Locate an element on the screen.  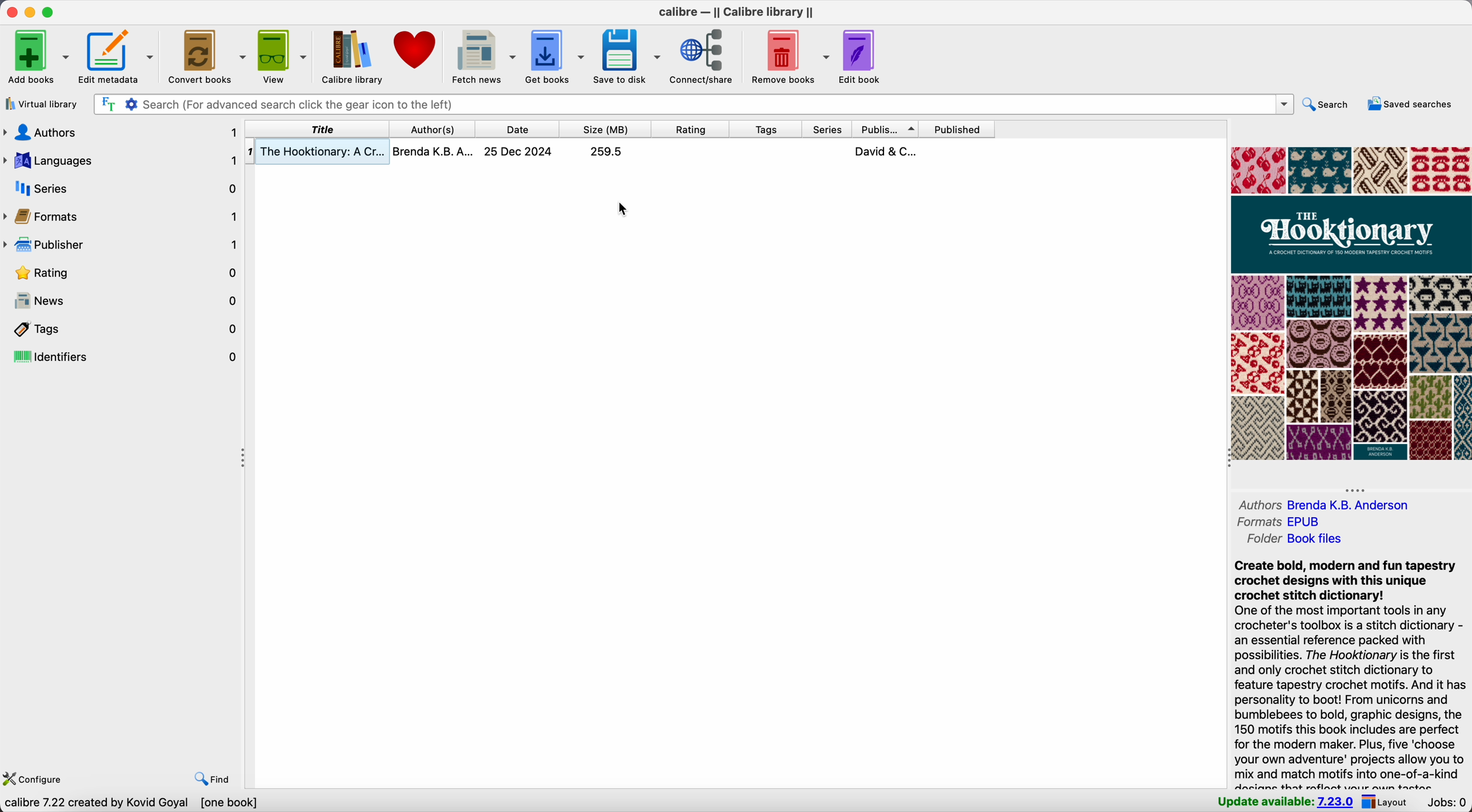
published is located at coordinates (957, 129).